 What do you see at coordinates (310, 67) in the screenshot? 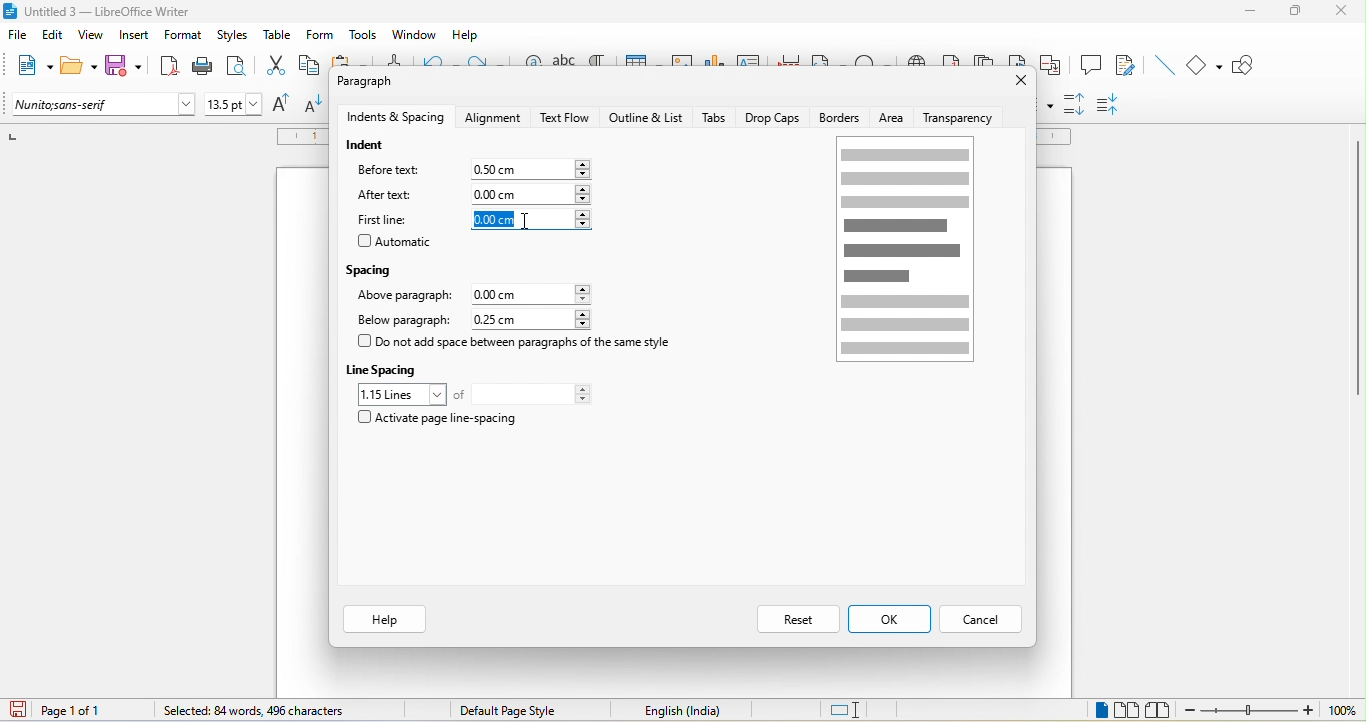
I see `copy` at bounding box center [310, 67].